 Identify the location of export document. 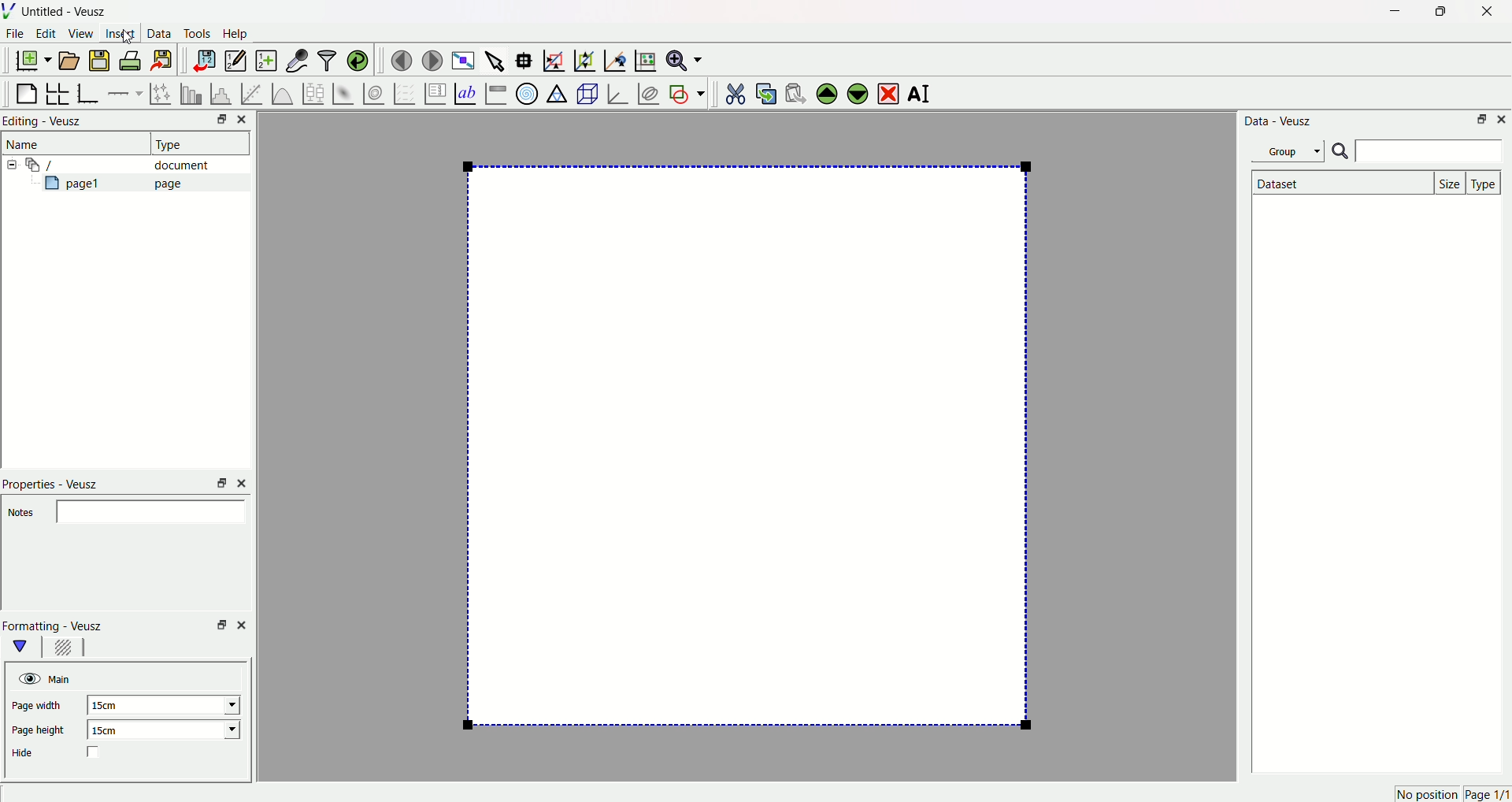
(169, 60).